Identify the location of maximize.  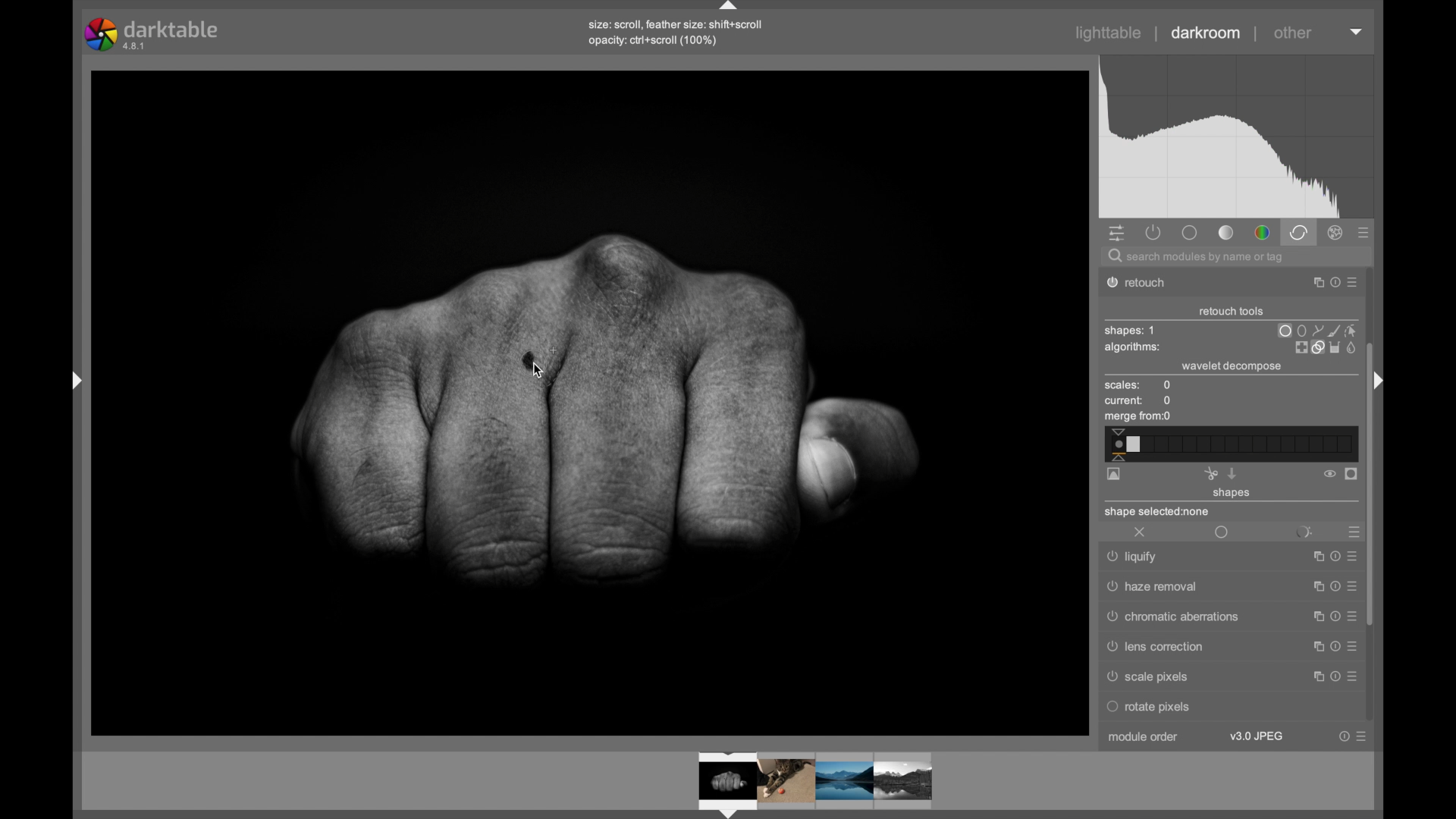
(1312, 283).